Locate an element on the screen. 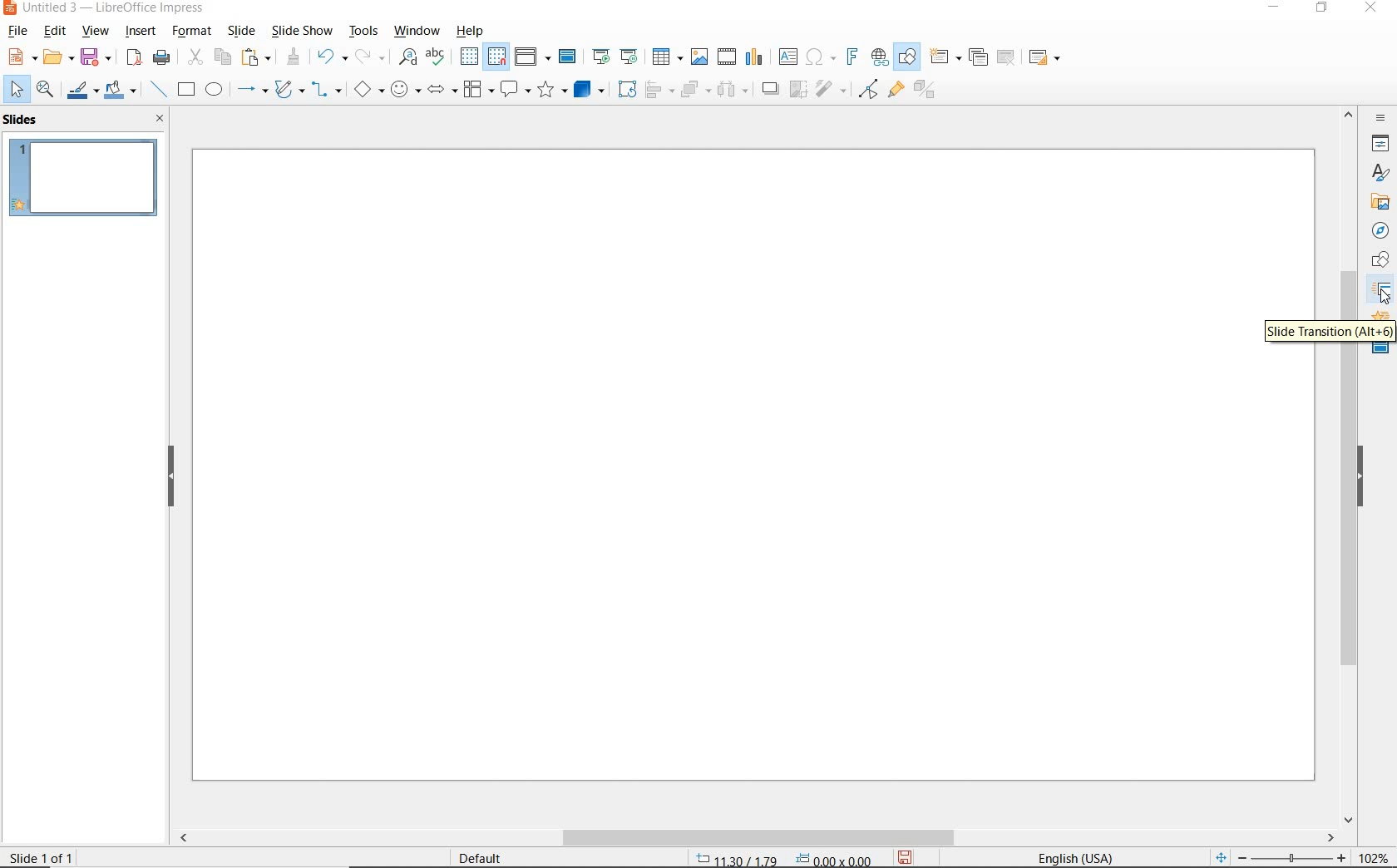 The width and height of the screenshot is (1397, 868). NAVIGATOR is located at coordinates (1380, 230).